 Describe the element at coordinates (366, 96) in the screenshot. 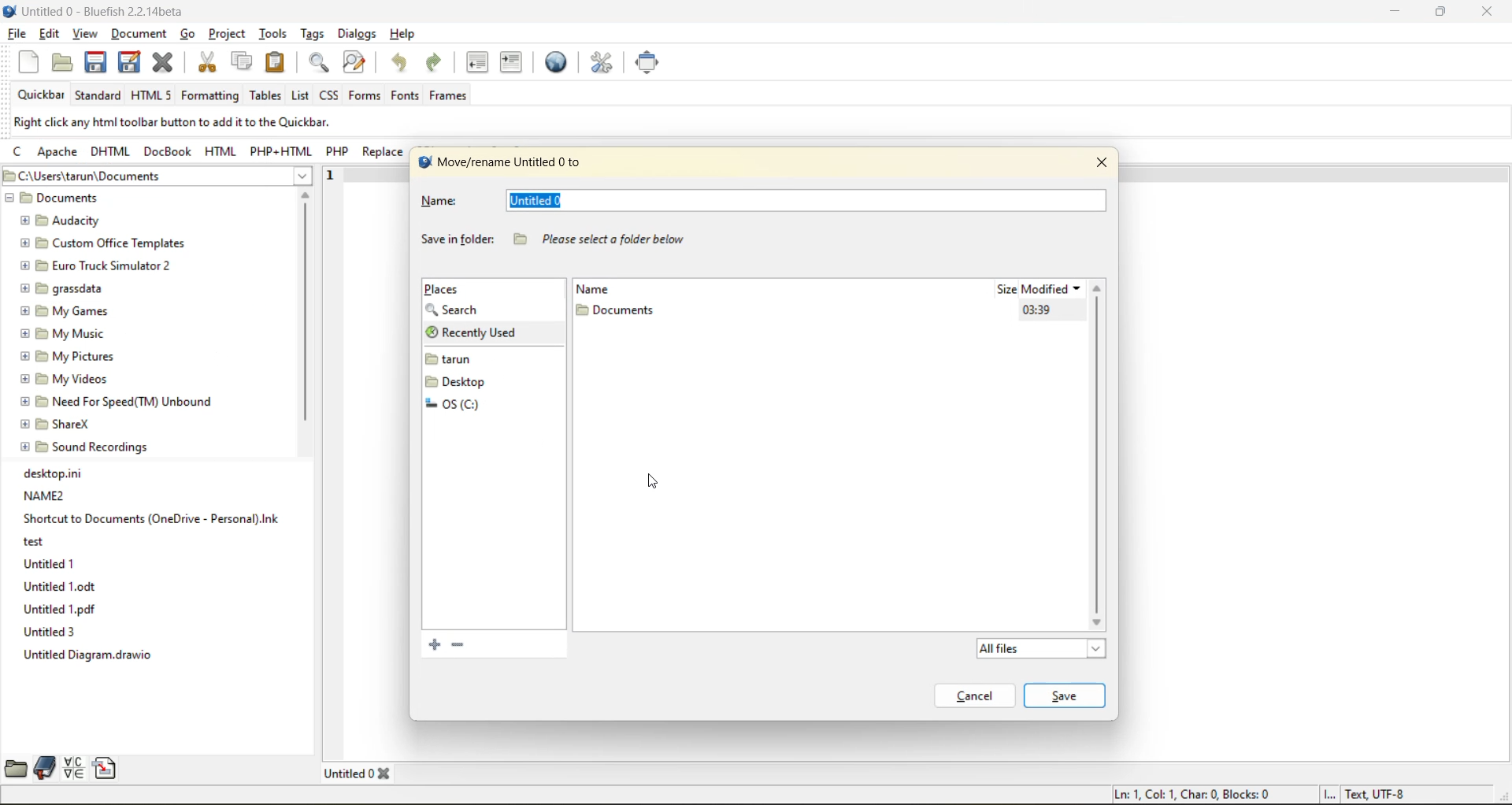

I see `forms` at that location.